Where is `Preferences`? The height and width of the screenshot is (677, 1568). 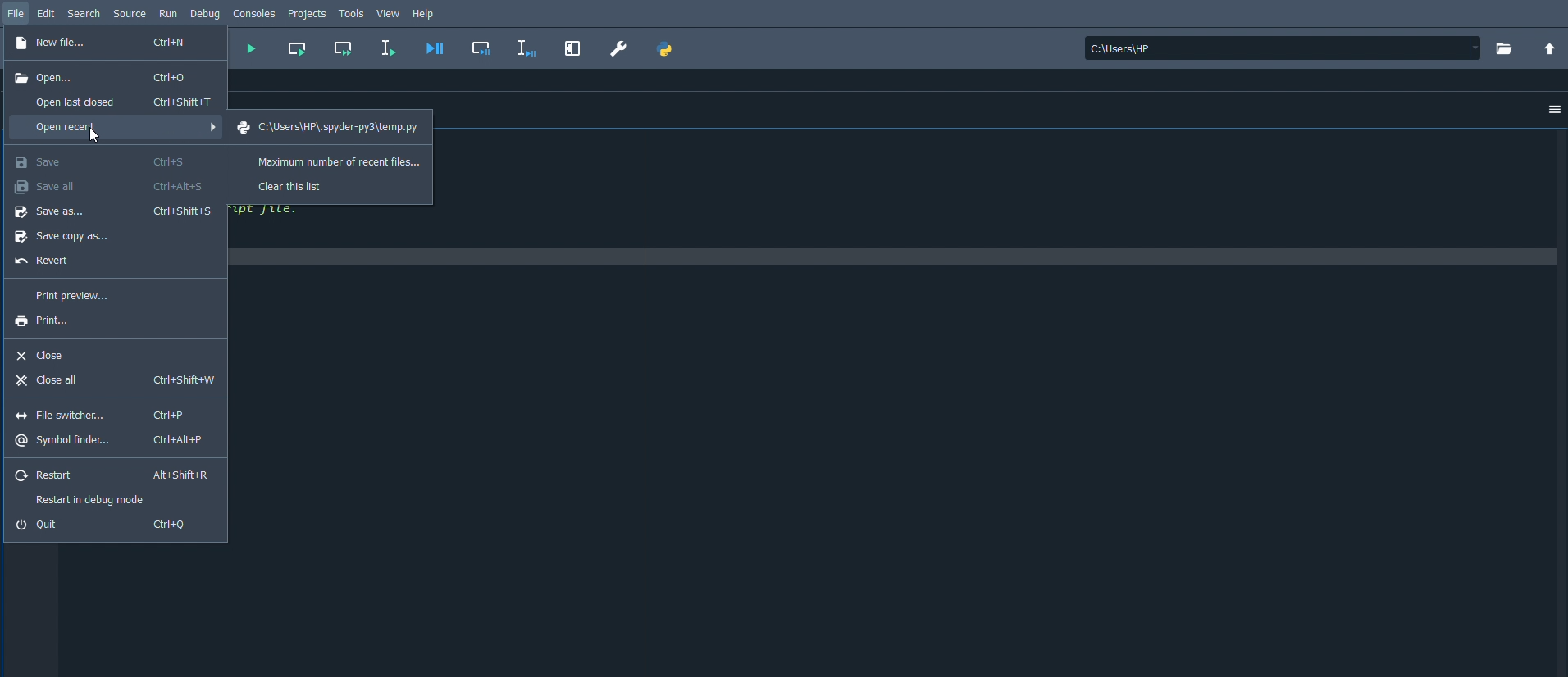 Preferences is located at coordinates (619, 48).